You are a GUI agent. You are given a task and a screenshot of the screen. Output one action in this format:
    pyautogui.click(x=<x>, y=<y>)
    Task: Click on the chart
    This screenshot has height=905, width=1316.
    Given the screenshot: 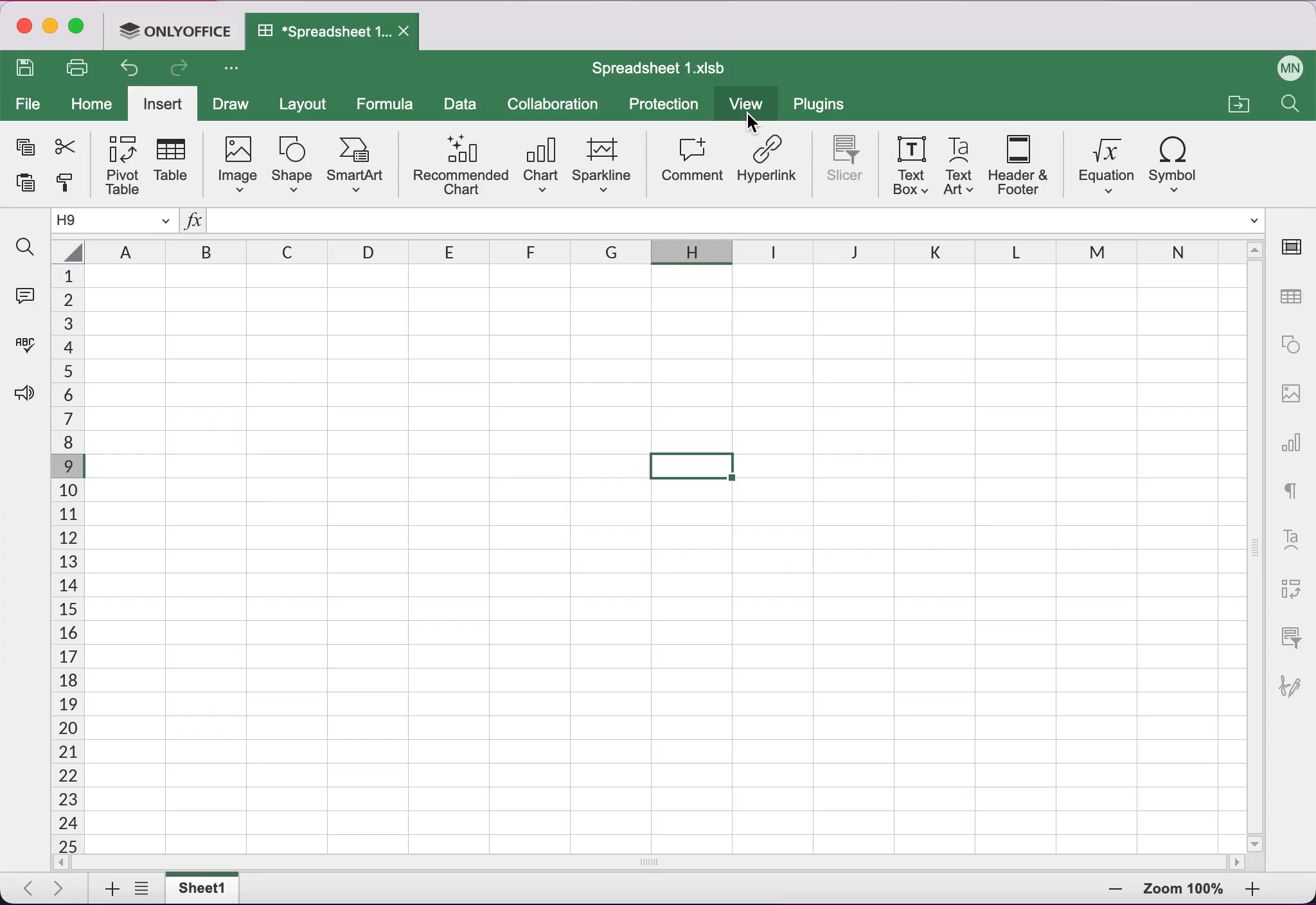 What is the action you would take?
    pyautogui.click(x=540, y=163)
    